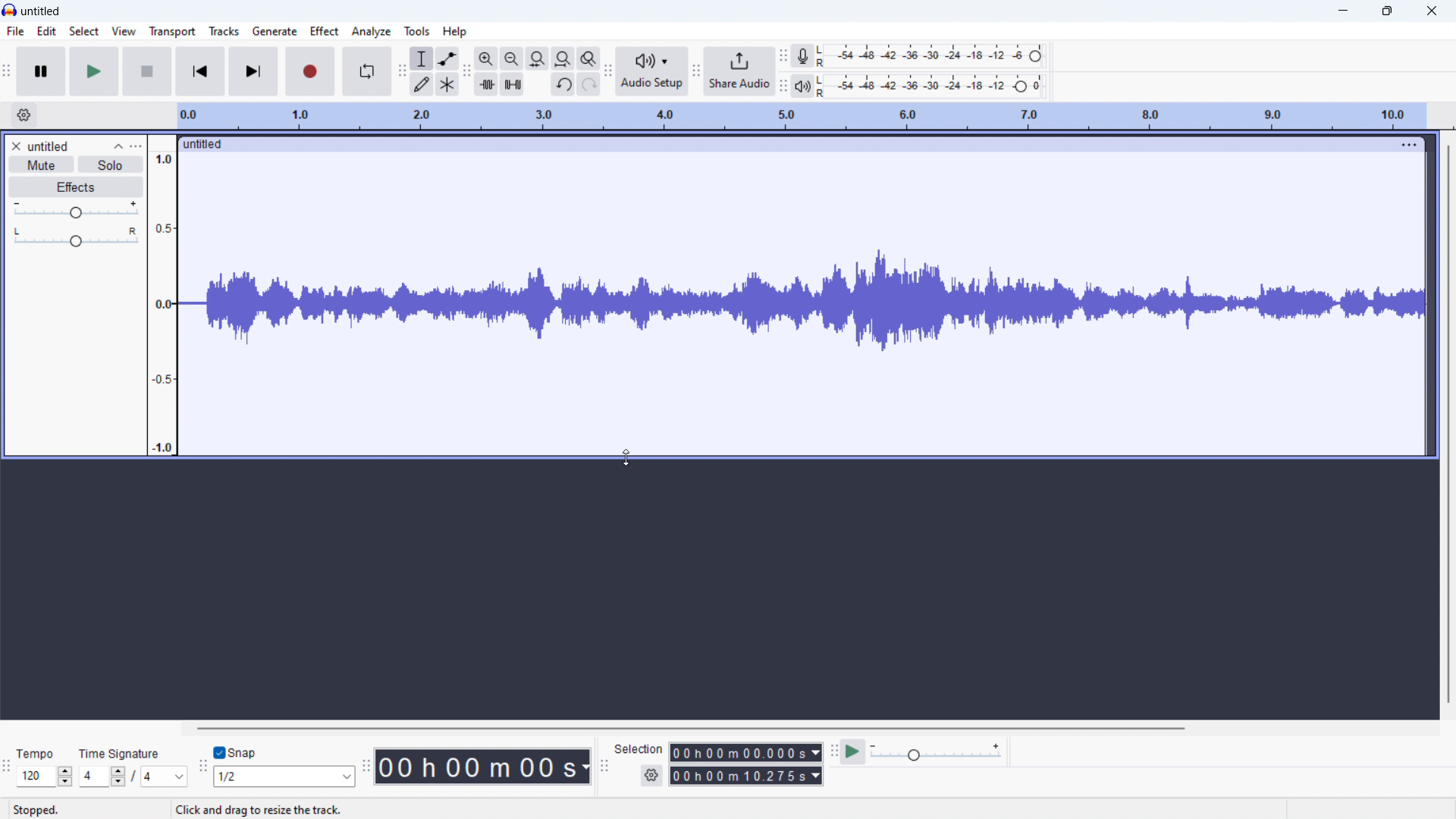 This screenshot has width=1456, height=819. I want to click on Click and drag to resize the track, so click(296, 810).